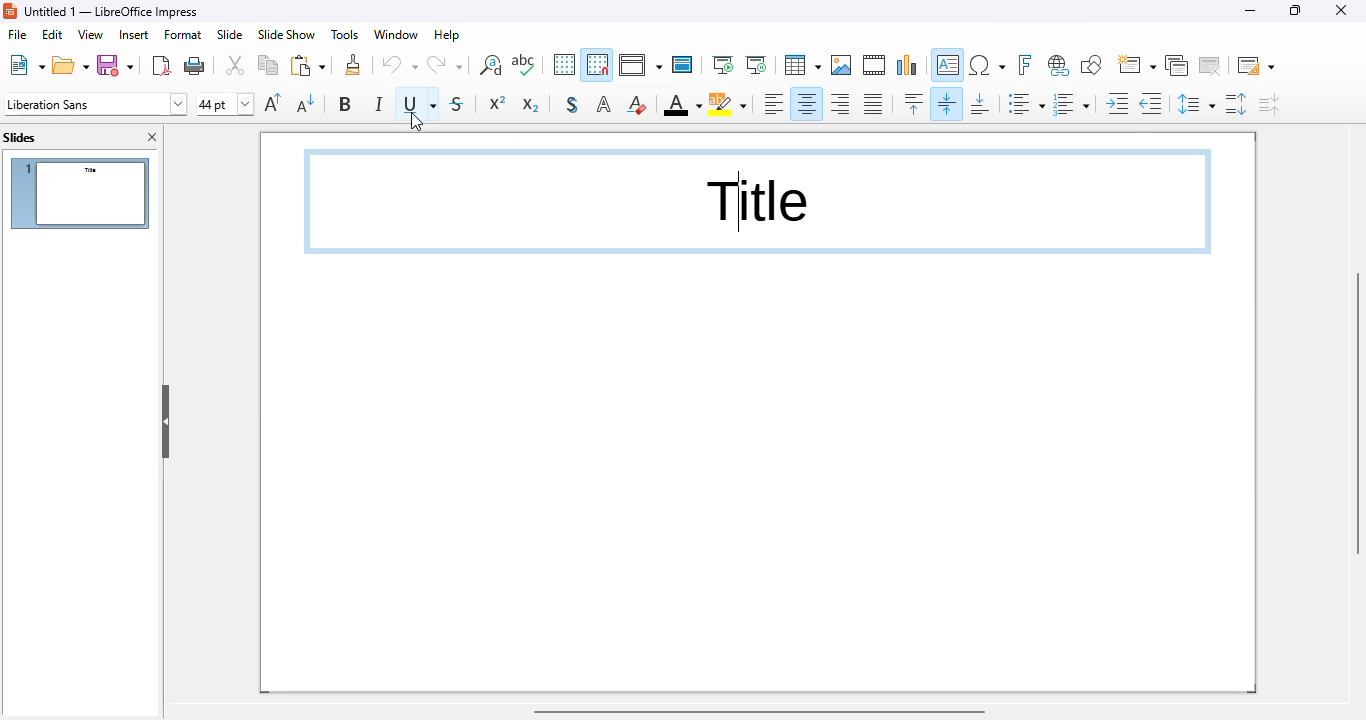 Image resolution: width=1366 pixels, height=720 pixels. Describe the element at coordinates (1270, 105) in the screenshot. I see `decrease paragraph spacing` at that location.